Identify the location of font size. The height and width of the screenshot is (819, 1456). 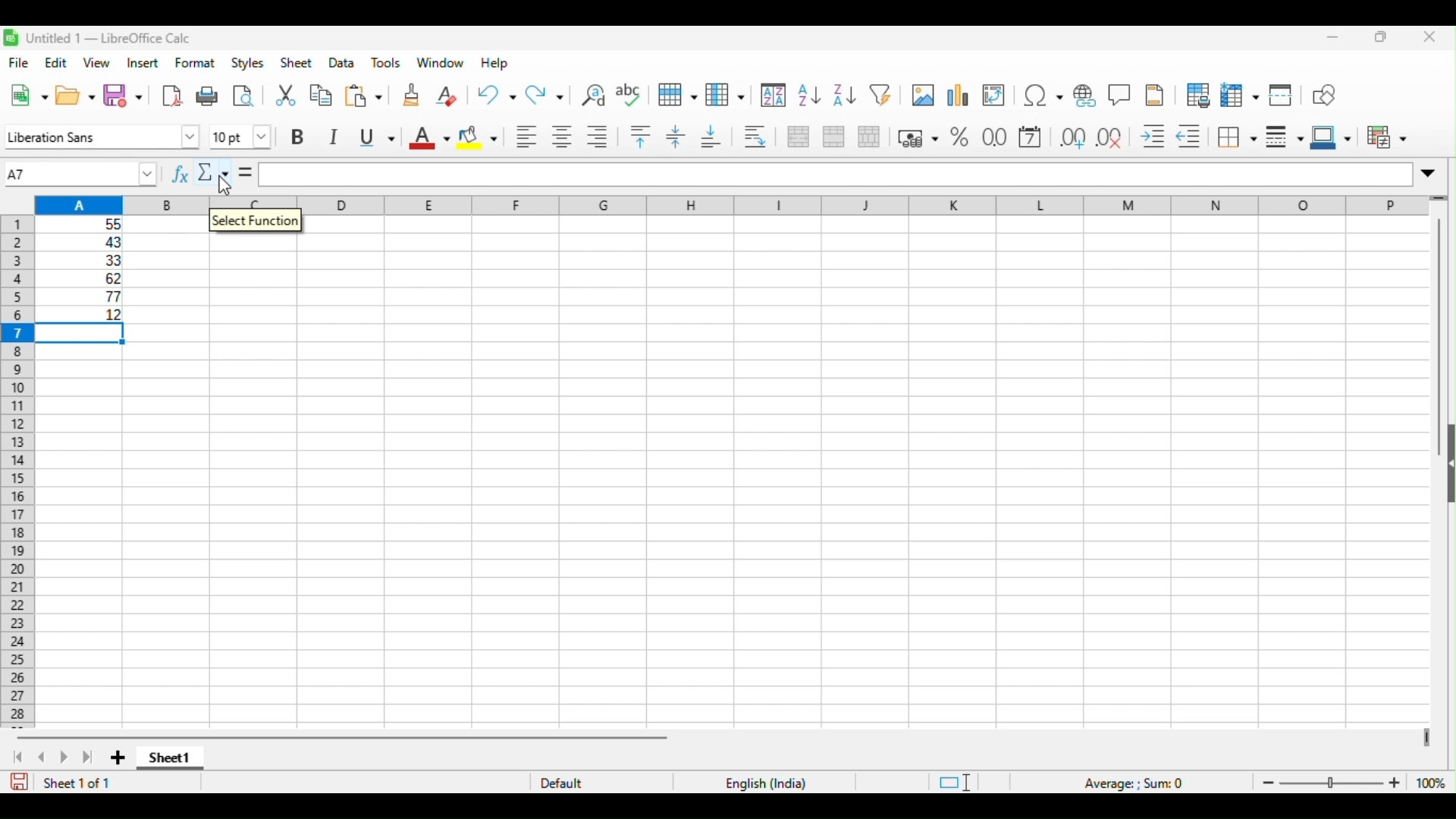
(244, 134).